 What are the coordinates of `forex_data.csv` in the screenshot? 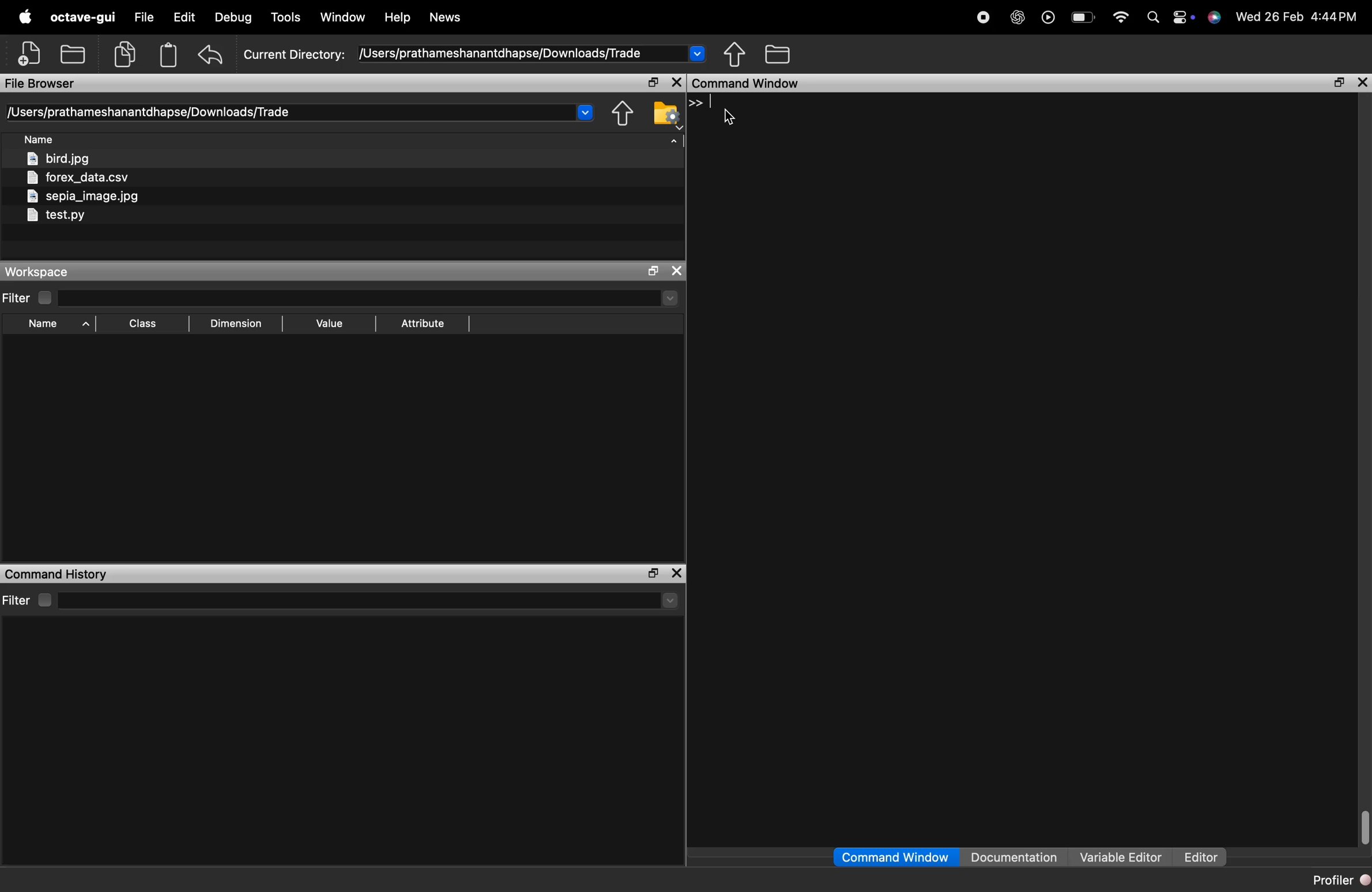 It's located at (77, 177).